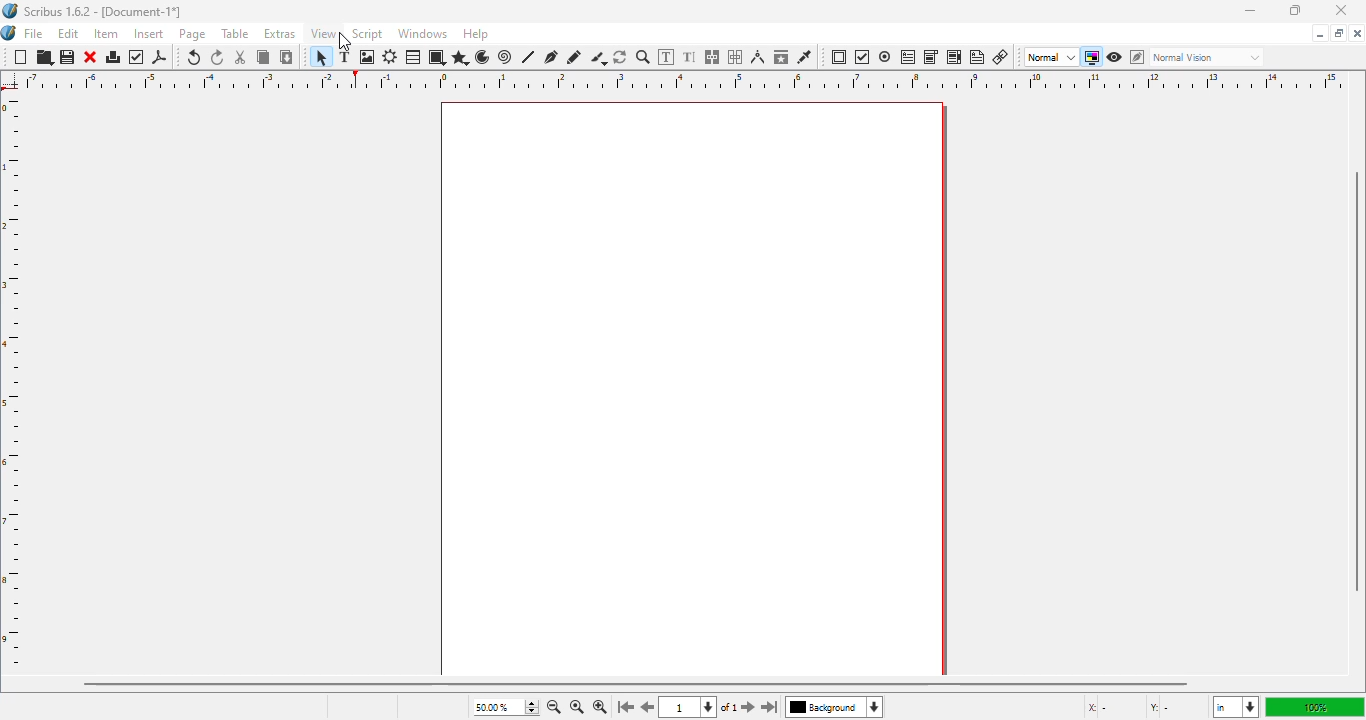  Describe the element at coordinates (104, 11) in the screenshot. I see `Scribus 1.6.2 - [Document-1*]` at that location.